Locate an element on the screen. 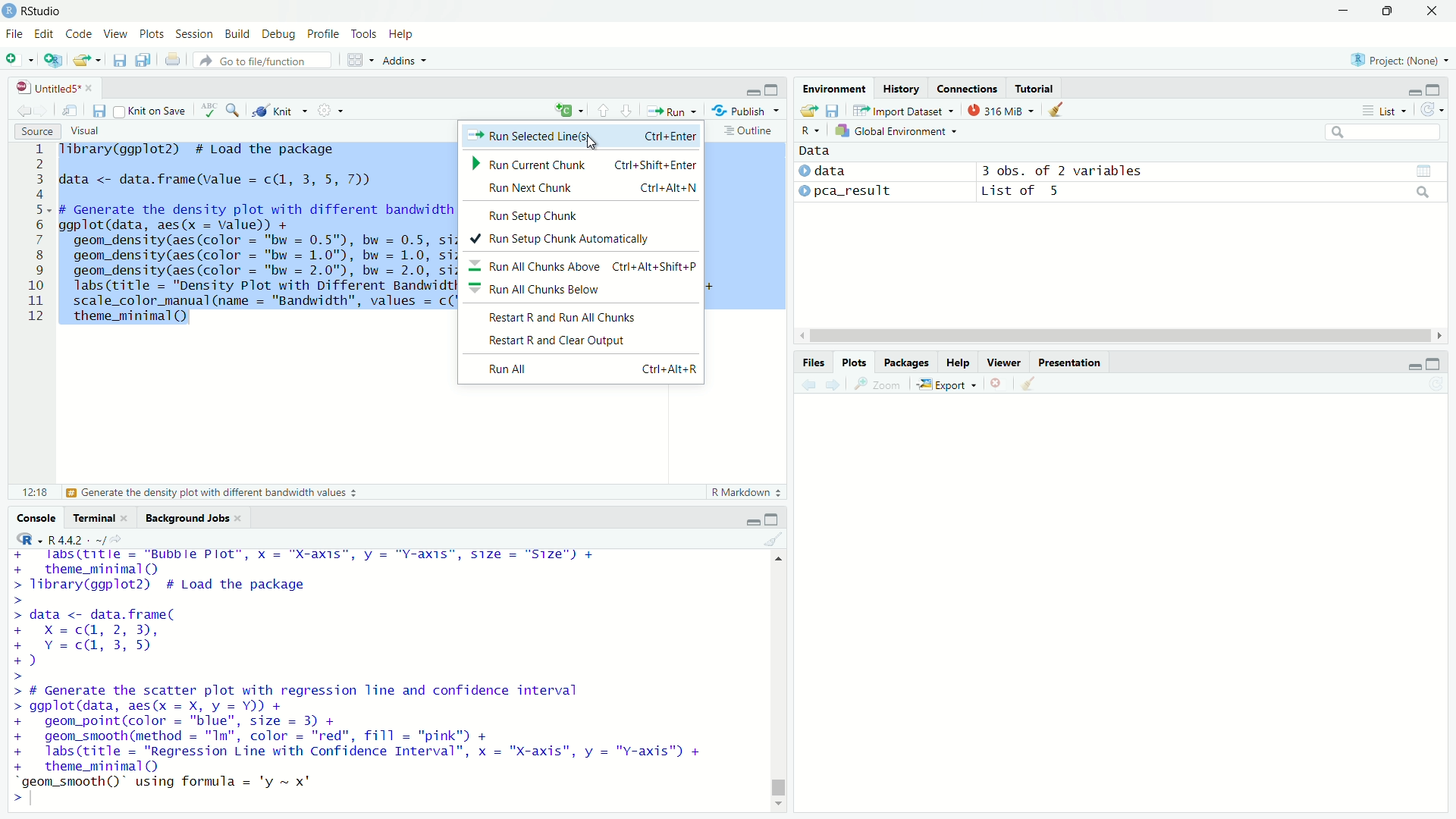 The image size is (1456, 819). Open recent files is located at coordinates (98, 60).